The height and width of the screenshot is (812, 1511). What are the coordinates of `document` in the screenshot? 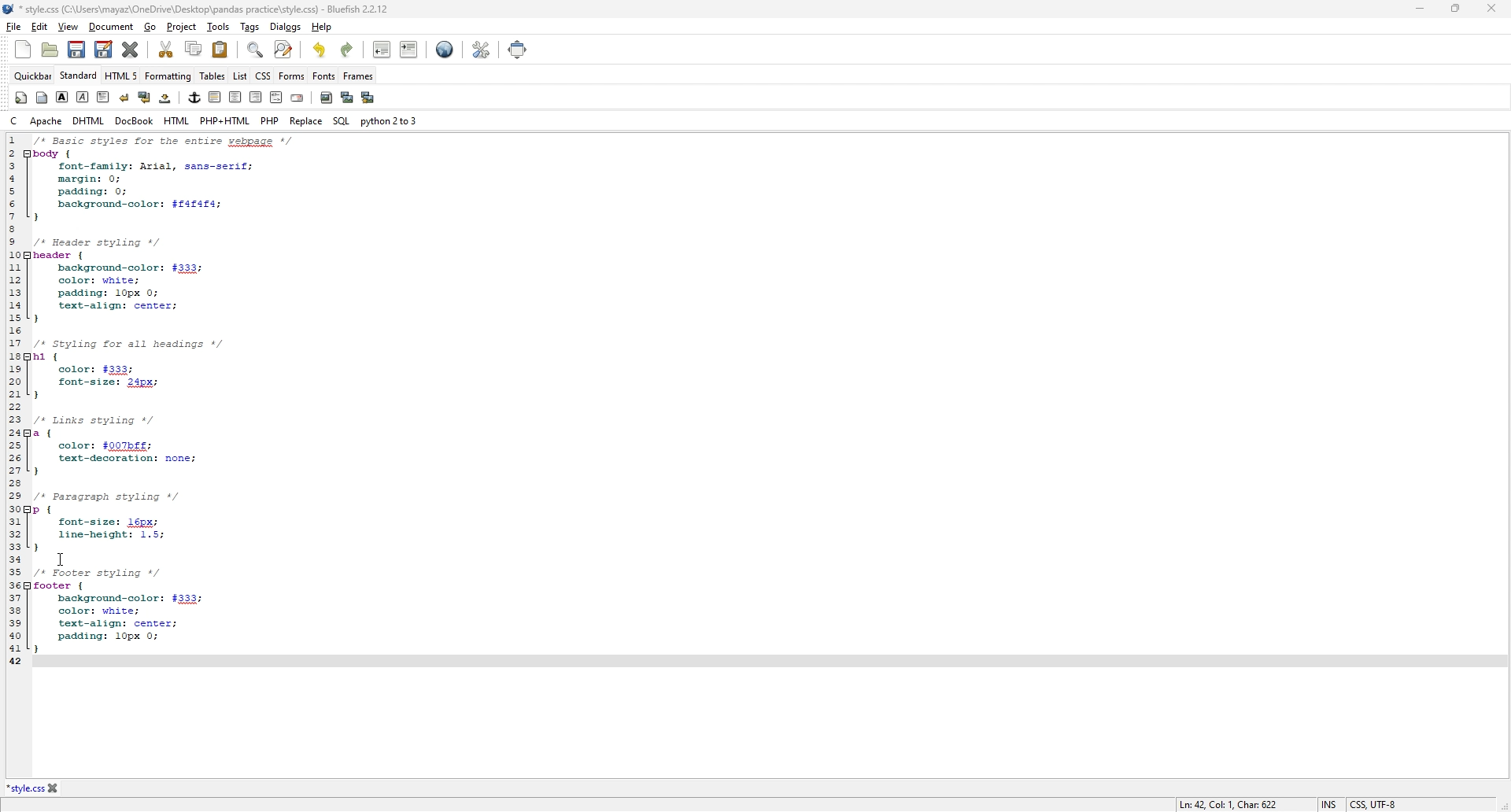 It's located at (113, 27).